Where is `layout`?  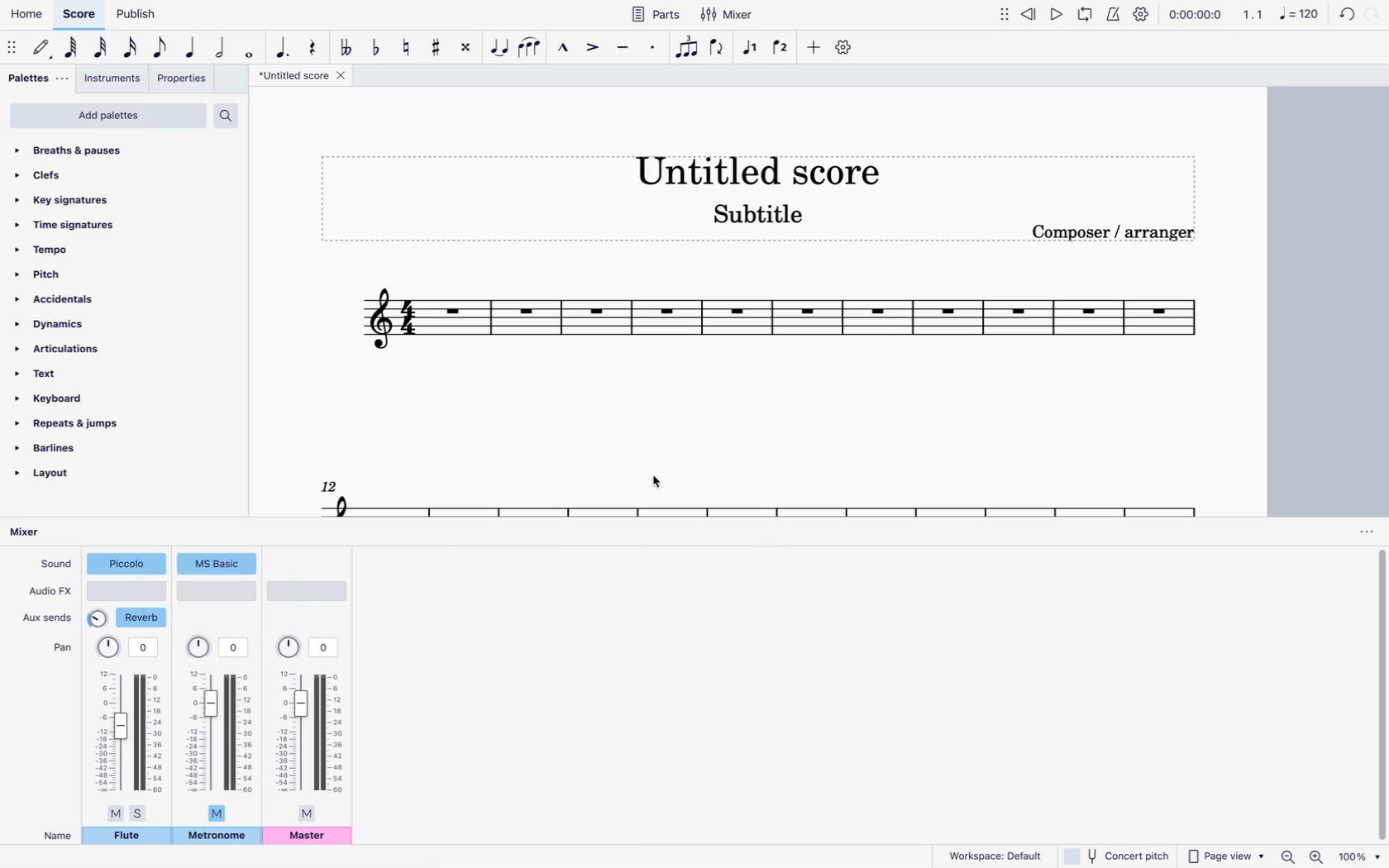
layout is located at coordinates (63, 479).